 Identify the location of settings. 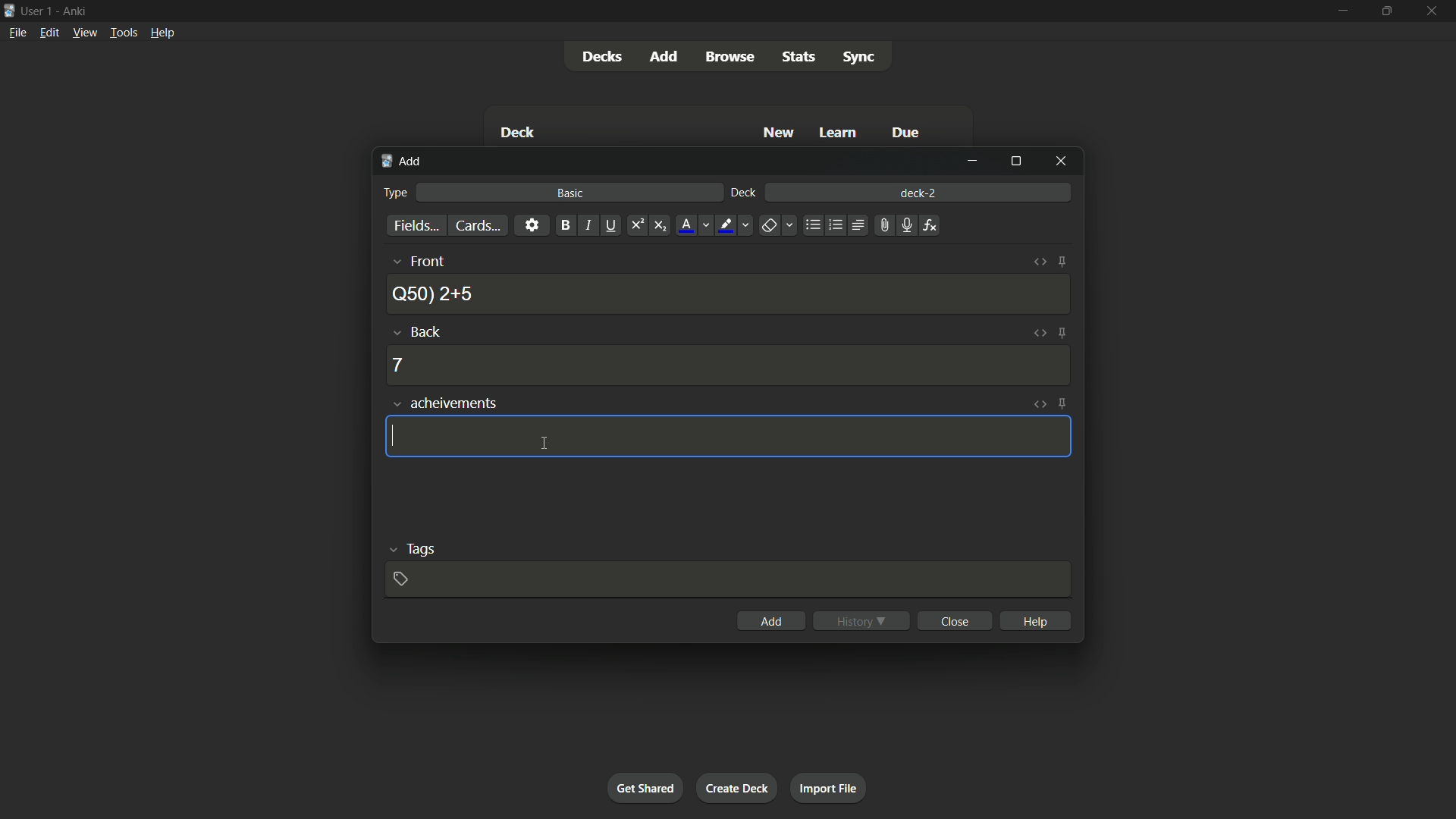
(533, 225).